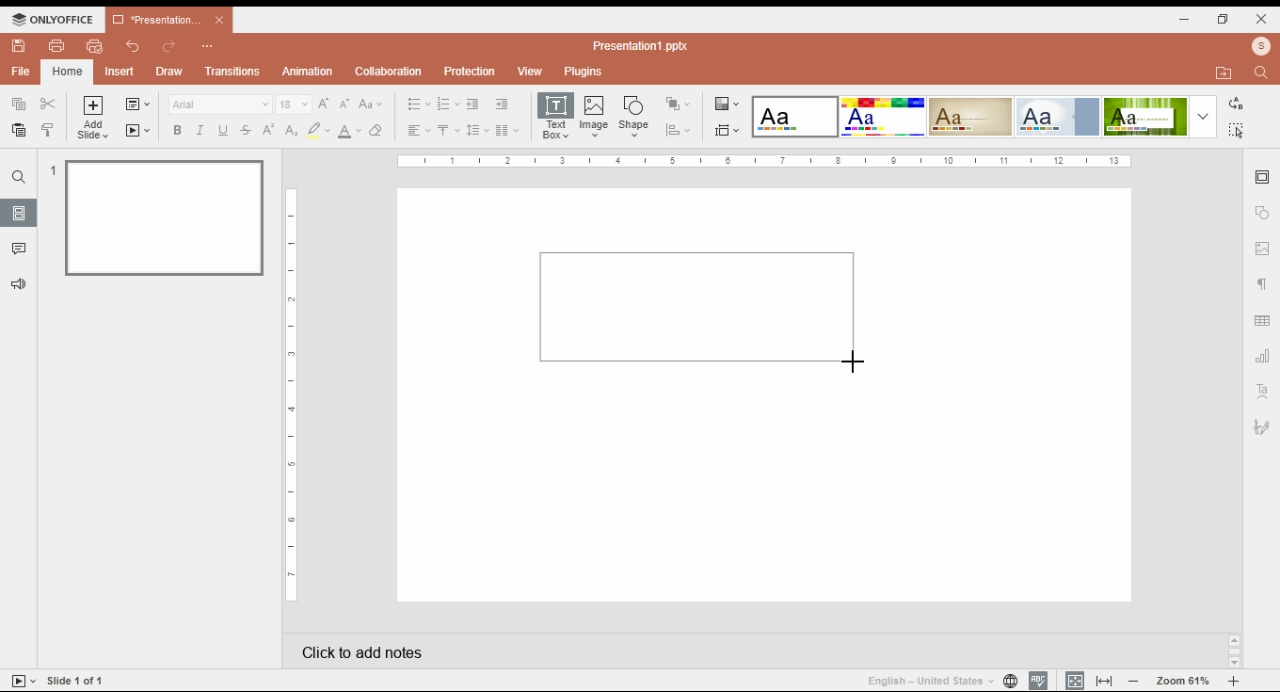  I want to click on Presentation1.pptx, so click(640, 46).